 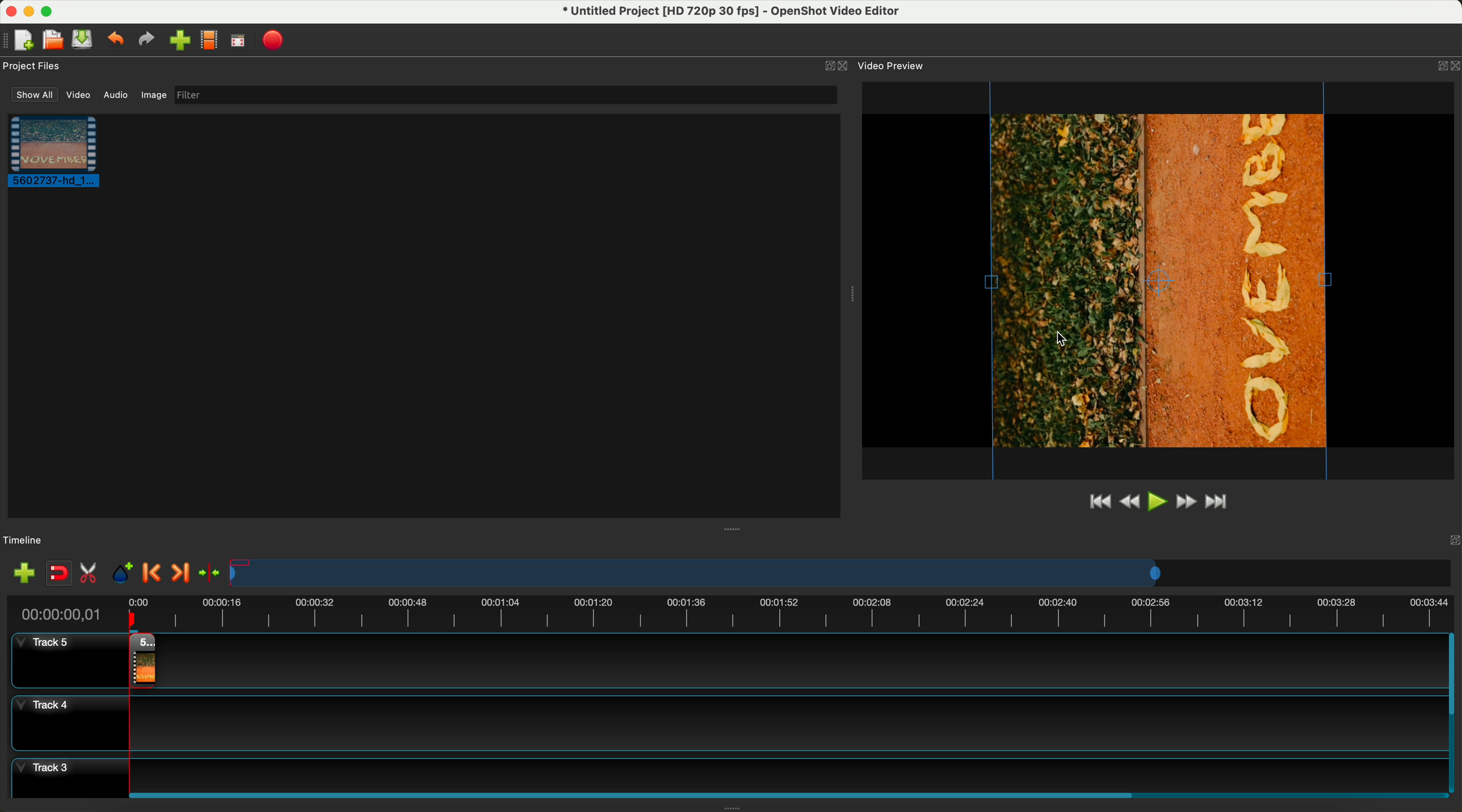 What do you see at coordinates (34, 94) in the screenshot?
I see `show all` at bounding box center [34, 94].